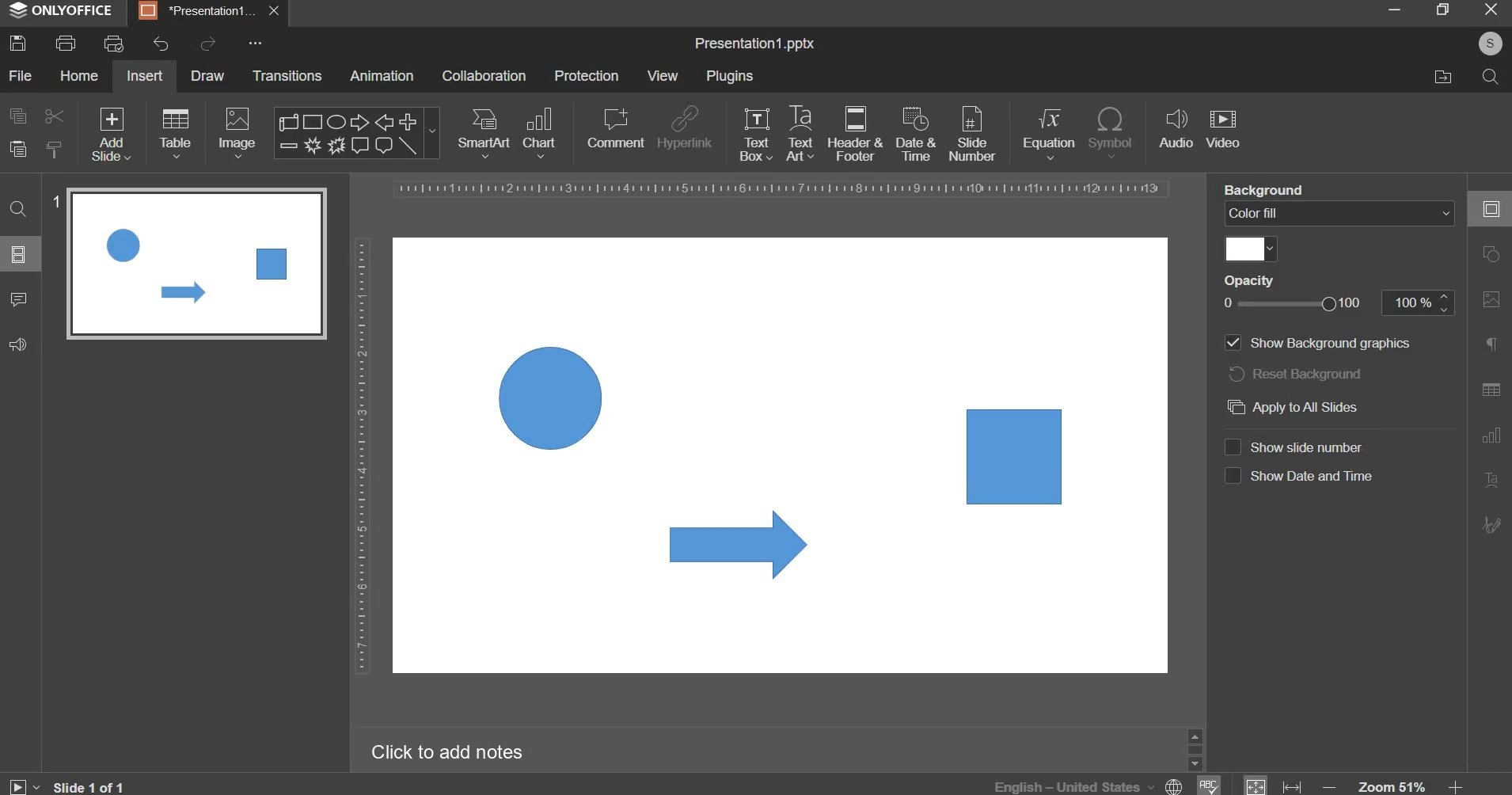  What do you see at coordinates (446, 751) in the screenshot?
I see `Click to add notes` at bounding box center [446, 751].